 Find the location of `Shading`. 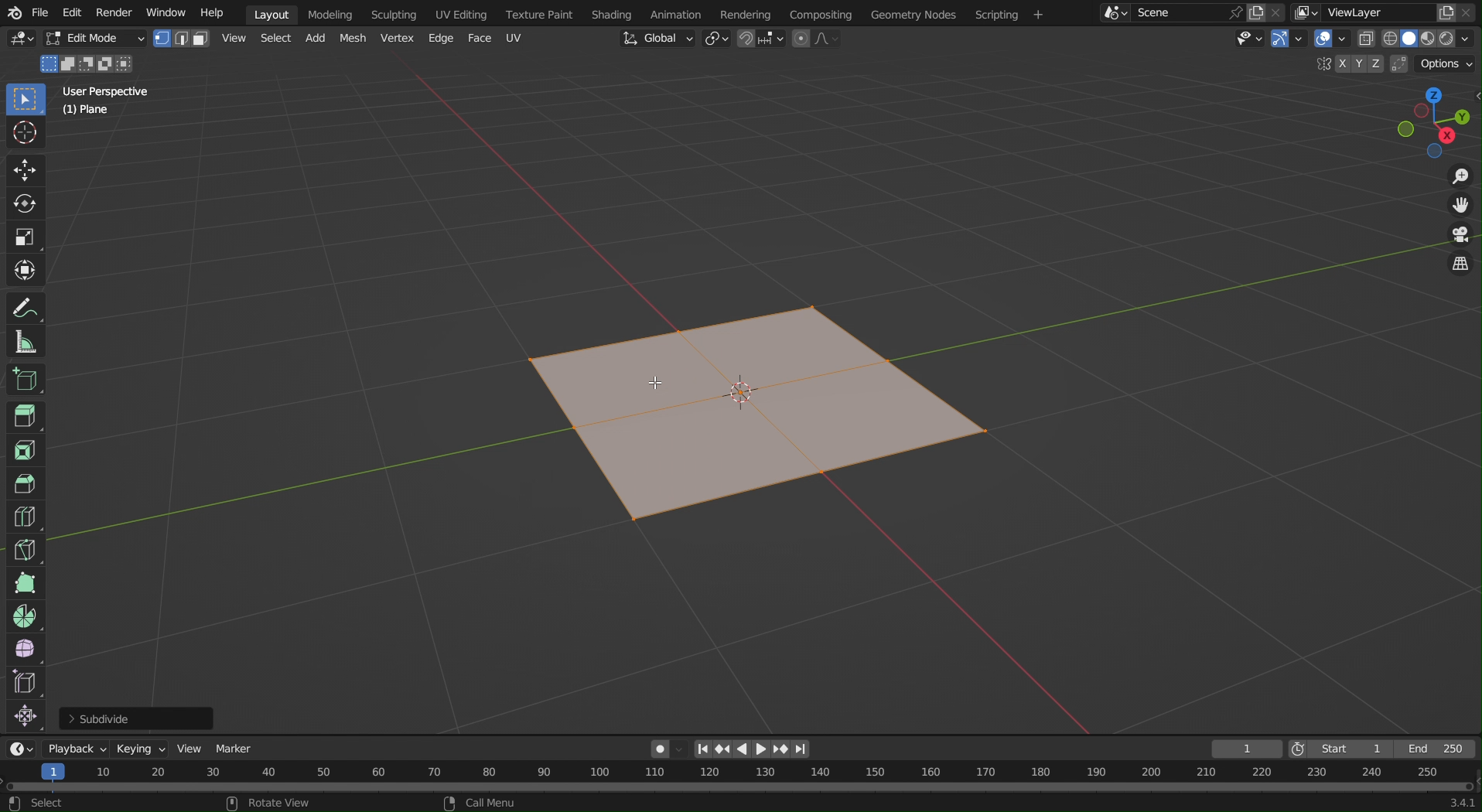

Shading is located at coordinates (613, 12).